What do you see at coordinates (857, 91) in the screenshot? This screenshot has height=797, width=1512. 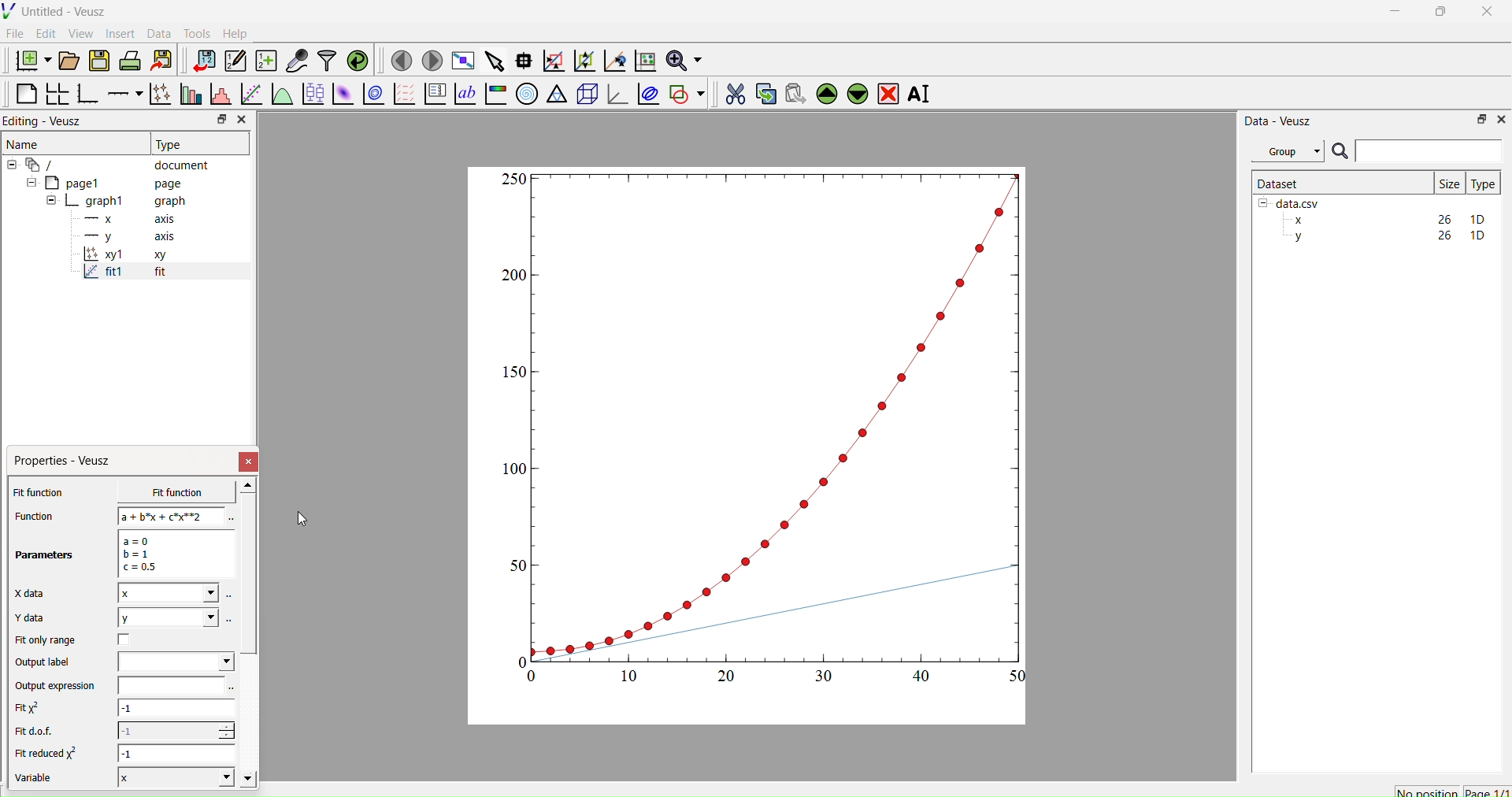 I see `Down` at bounding box center [857, 91].